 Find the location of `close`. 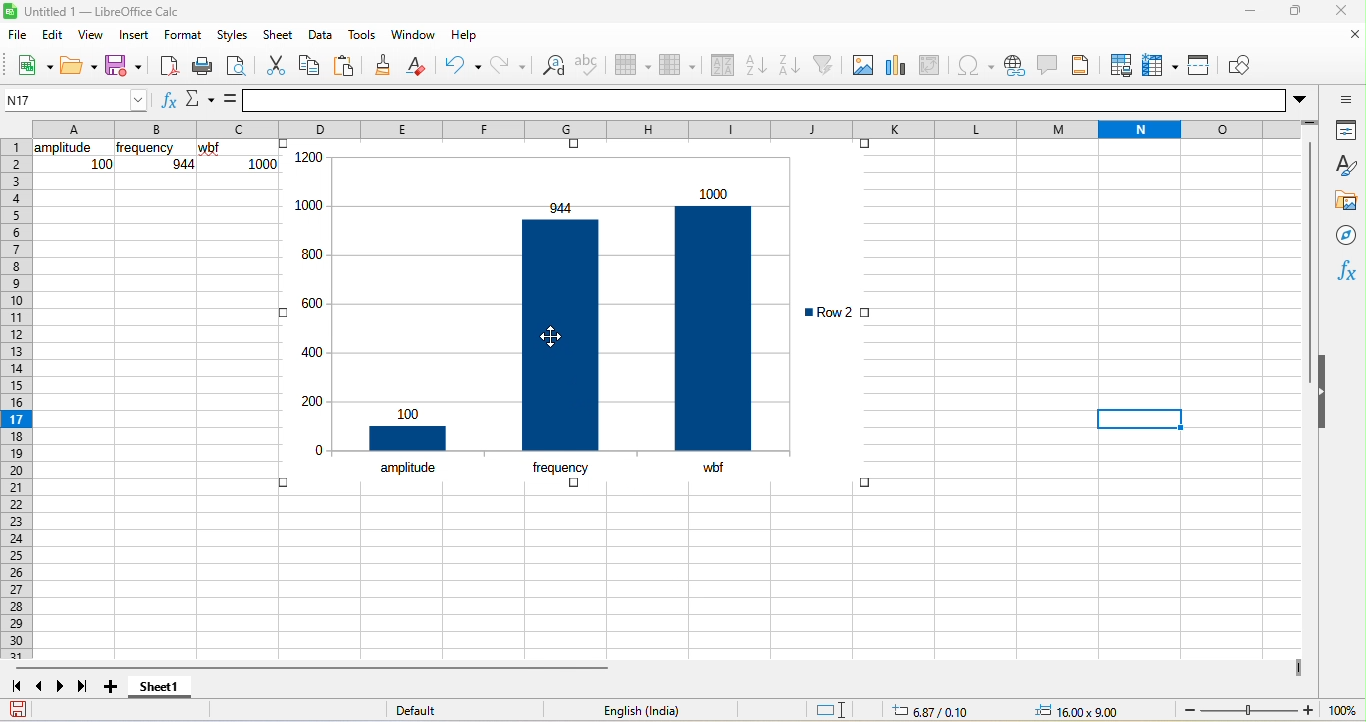

close is located at coordinates (1337, 13).